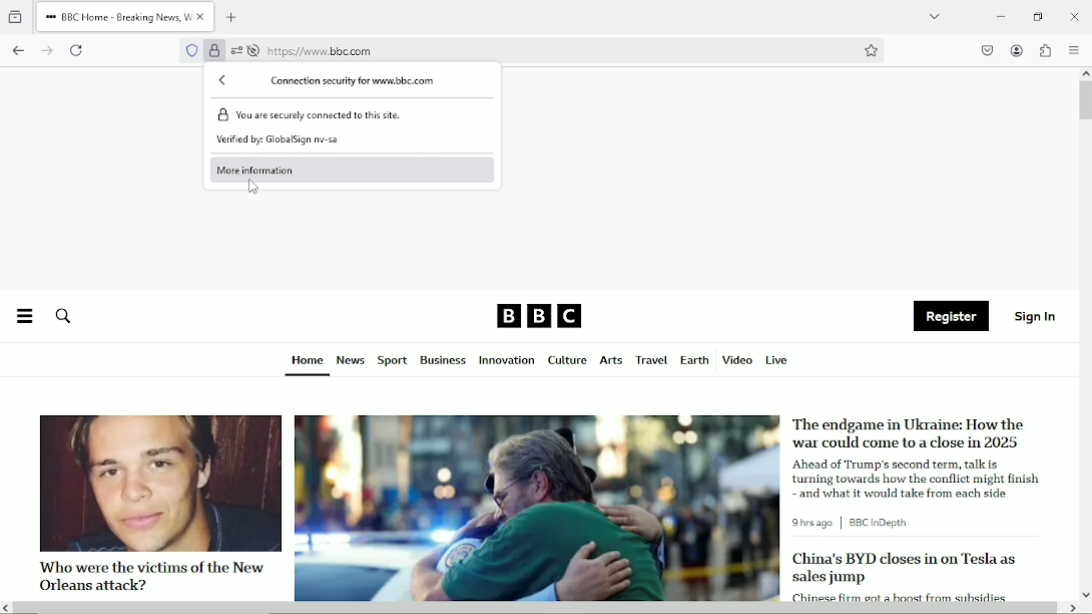 The width and height of the screenshot is (1092, 614). What do you see at coordinates (538, 509) in the screenshot?
I see `image` at bounding box center [538, 509].